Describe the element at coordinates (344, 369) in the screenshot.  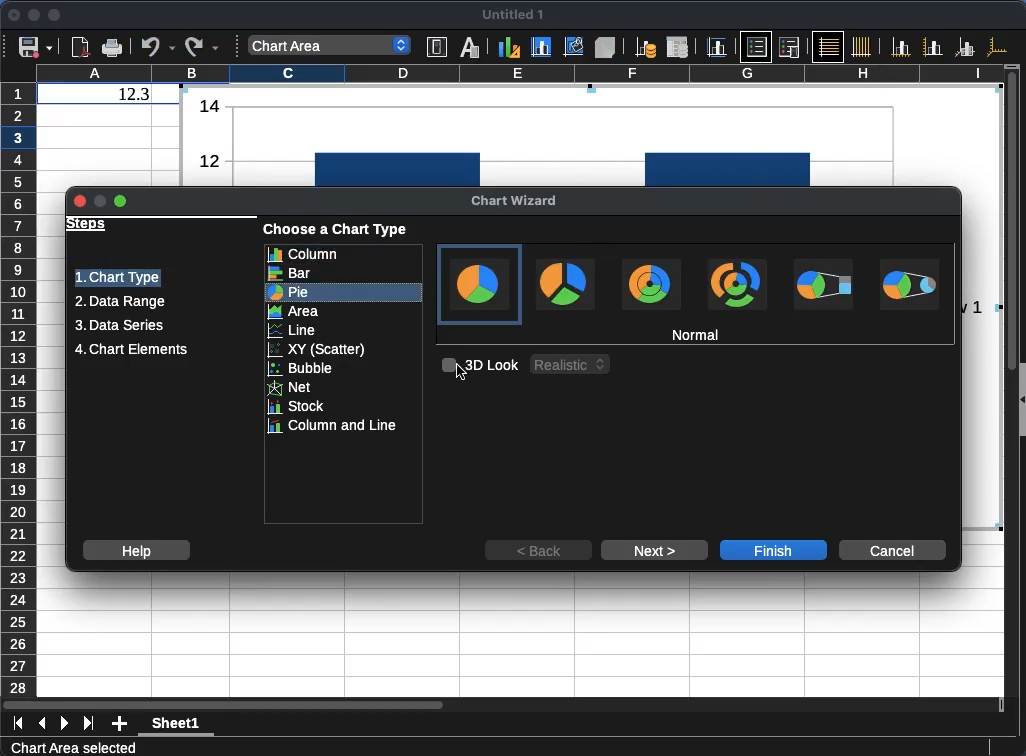
I see `bubble` at that location.